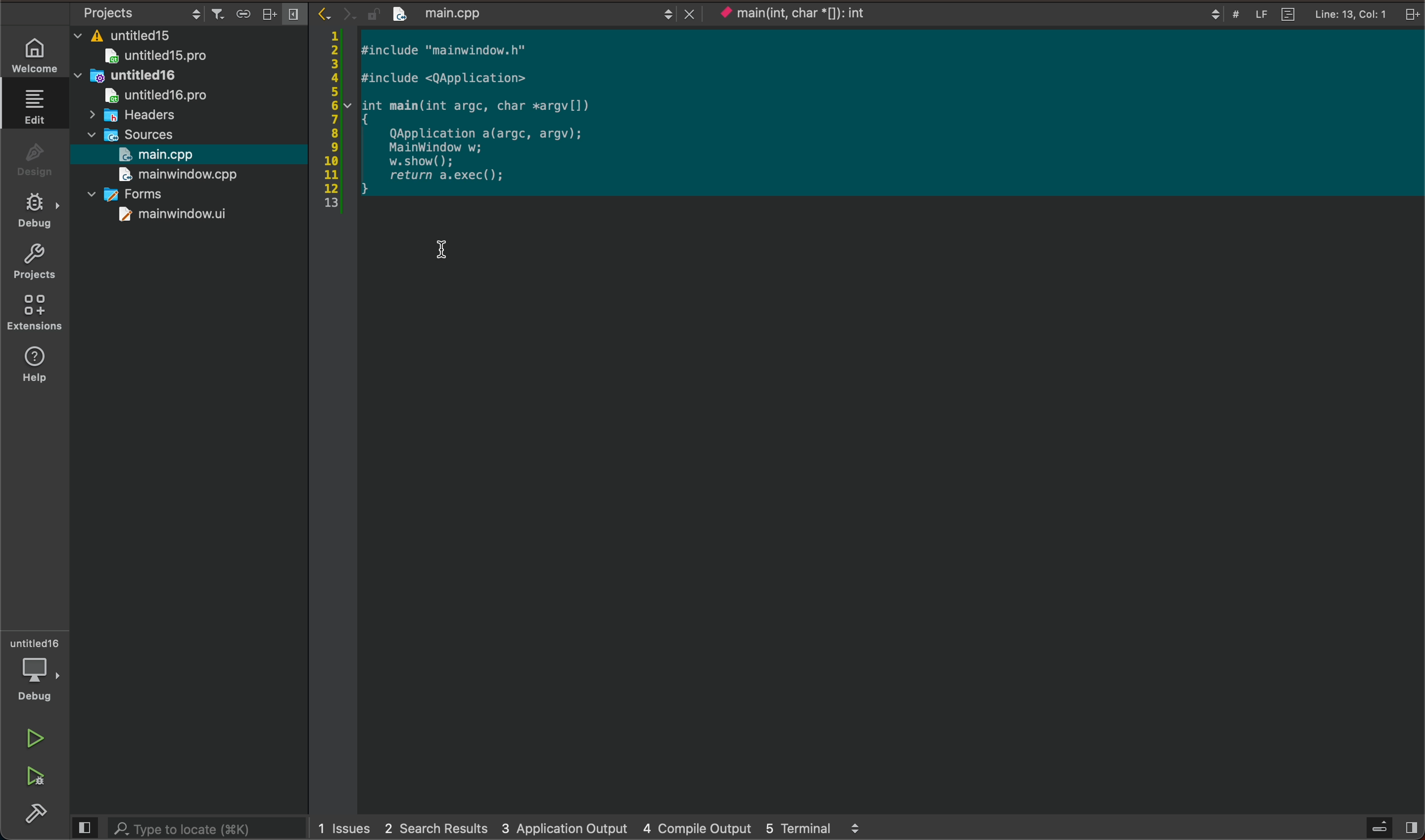 The width and height of the screenshot is (1425, 840). I want to click on untitledpro, so click(161, 96).